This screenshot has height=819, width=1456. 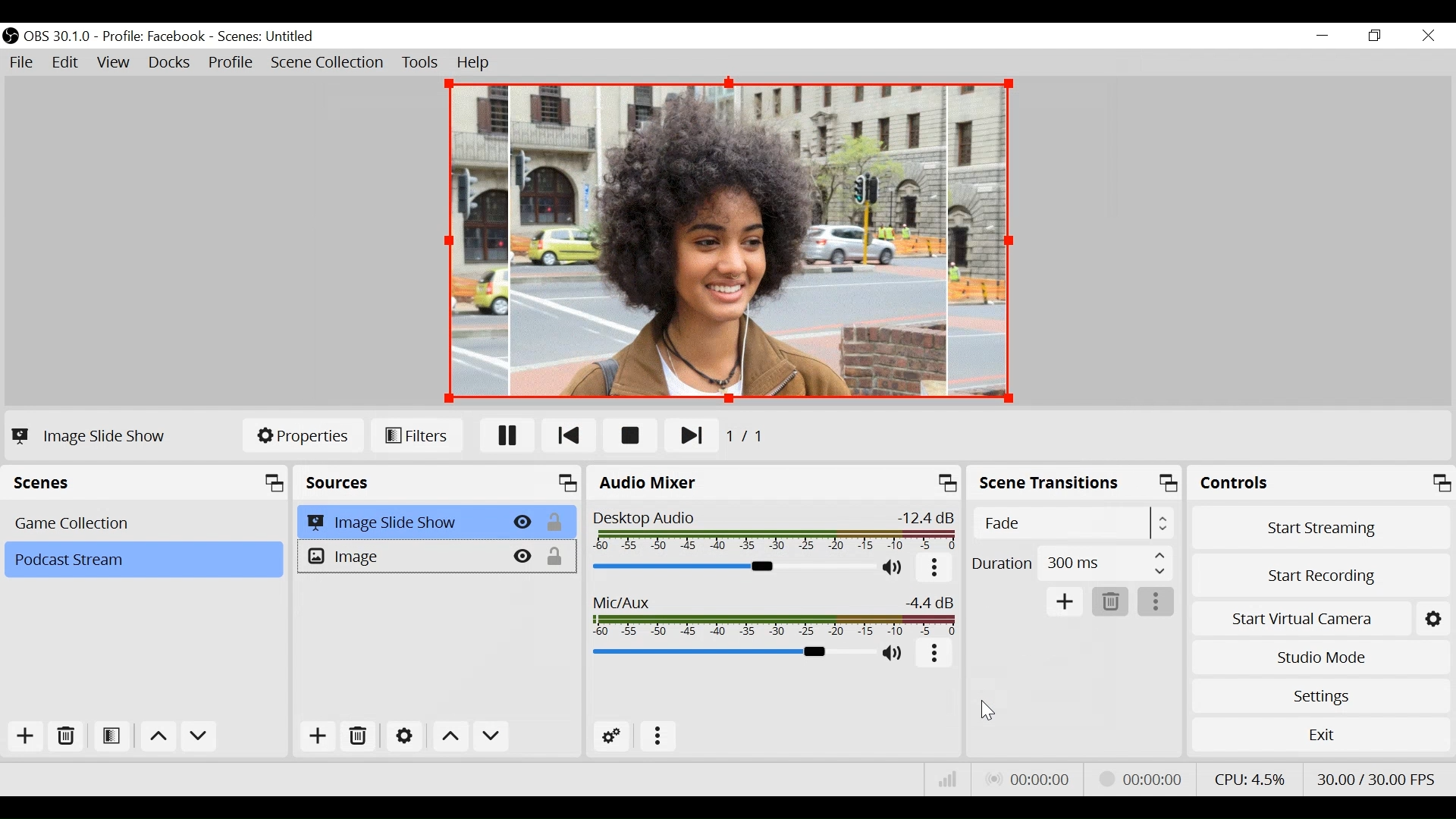 I want to click on Exit, so click(x=1321, y=738).